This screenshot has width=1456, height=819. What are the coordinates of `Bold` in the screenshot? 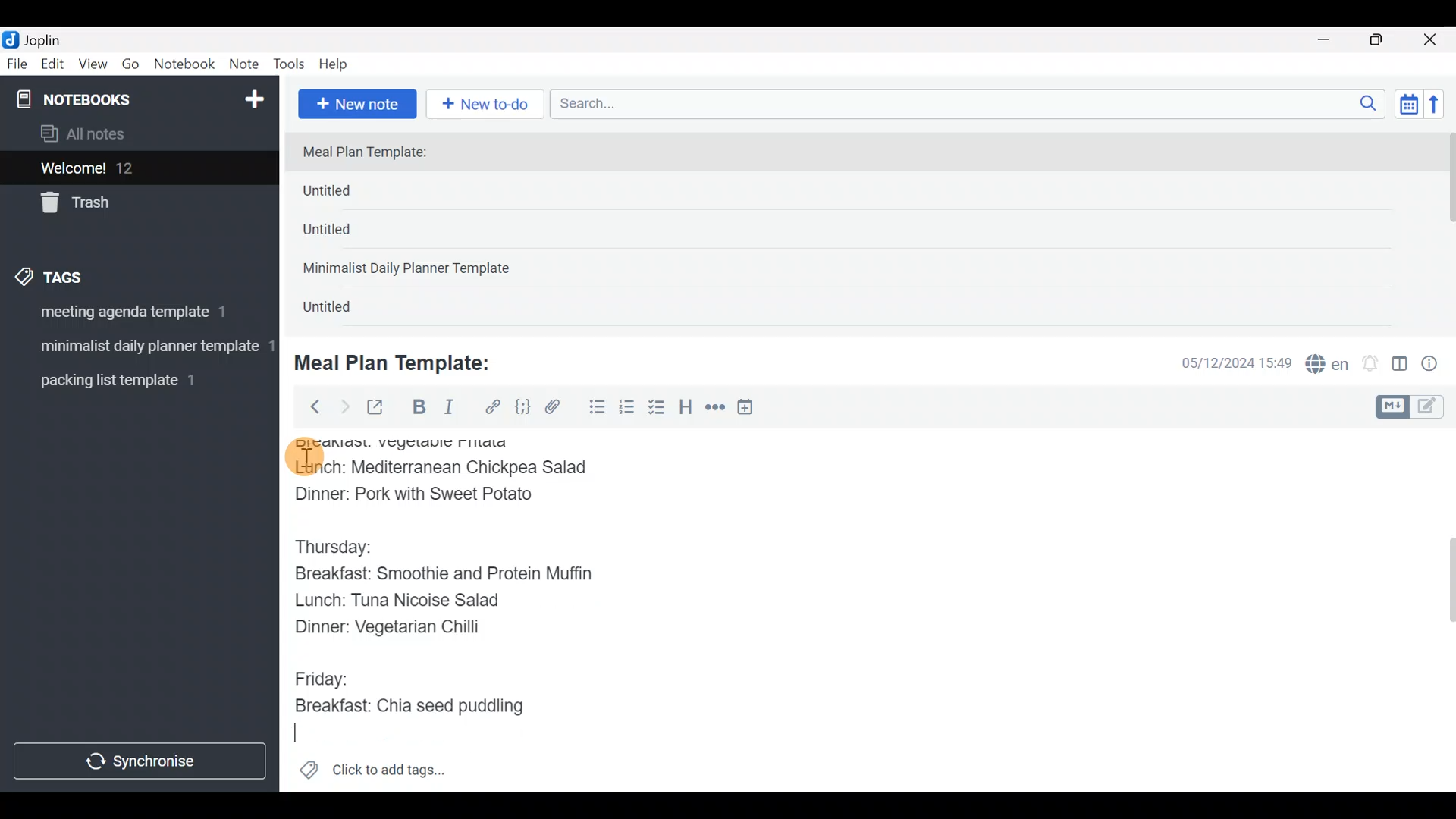 It's located at (418, 409).